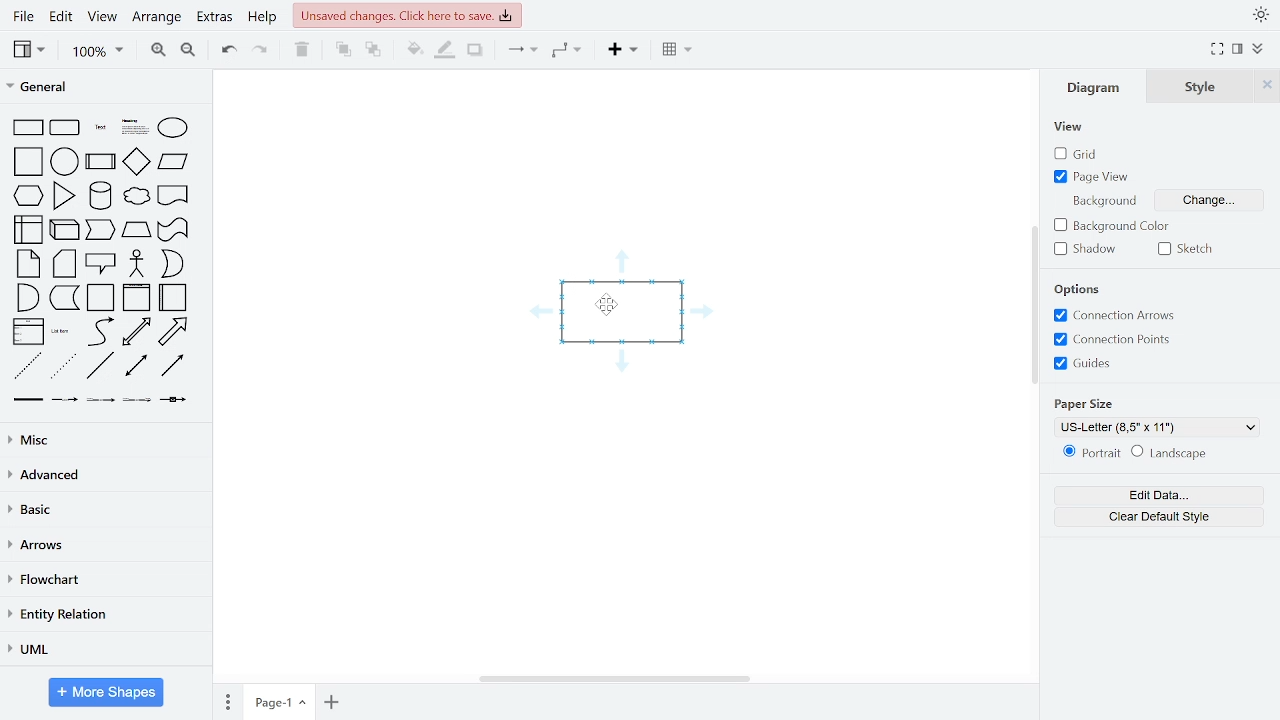 Image resolution: width=1280 pixels, height=720 pixels. Describe the element at coordinates (517, 50) in the screenshot. I see `connector` at that location.